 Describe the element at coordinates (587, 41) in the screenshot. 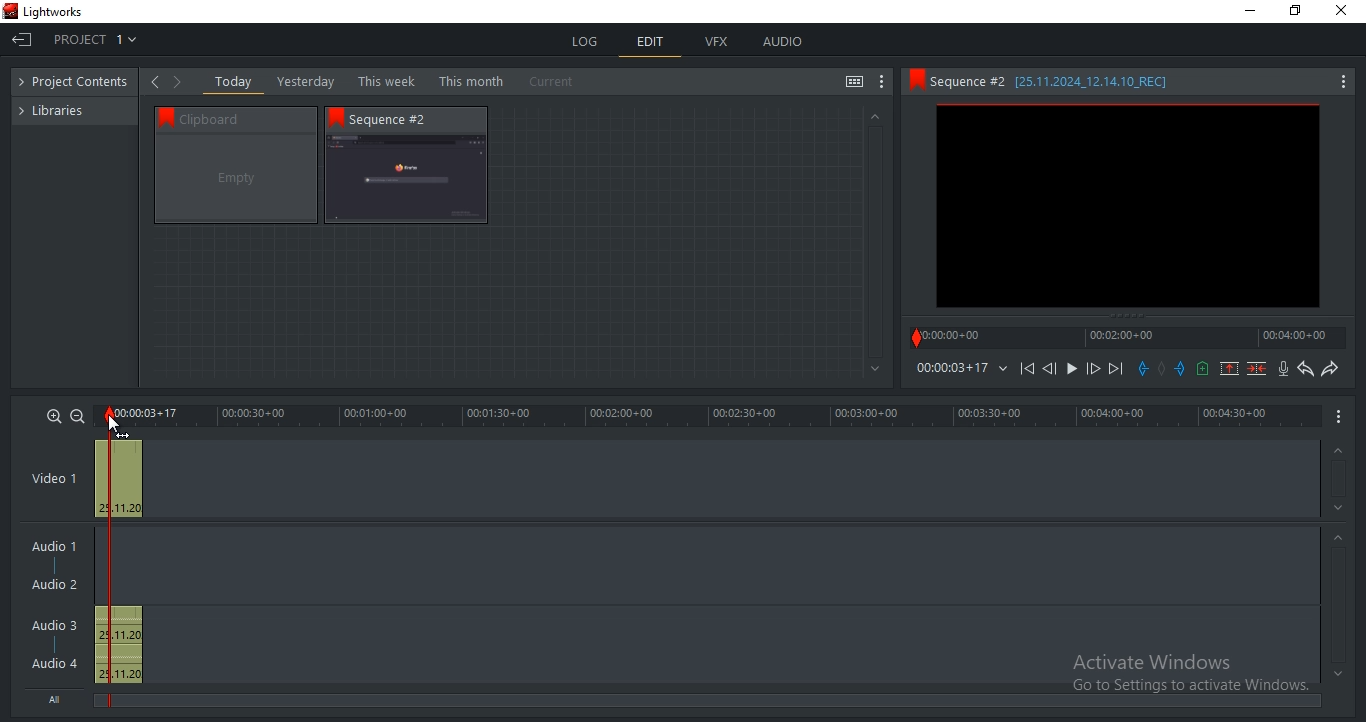

I see `log` at that location.